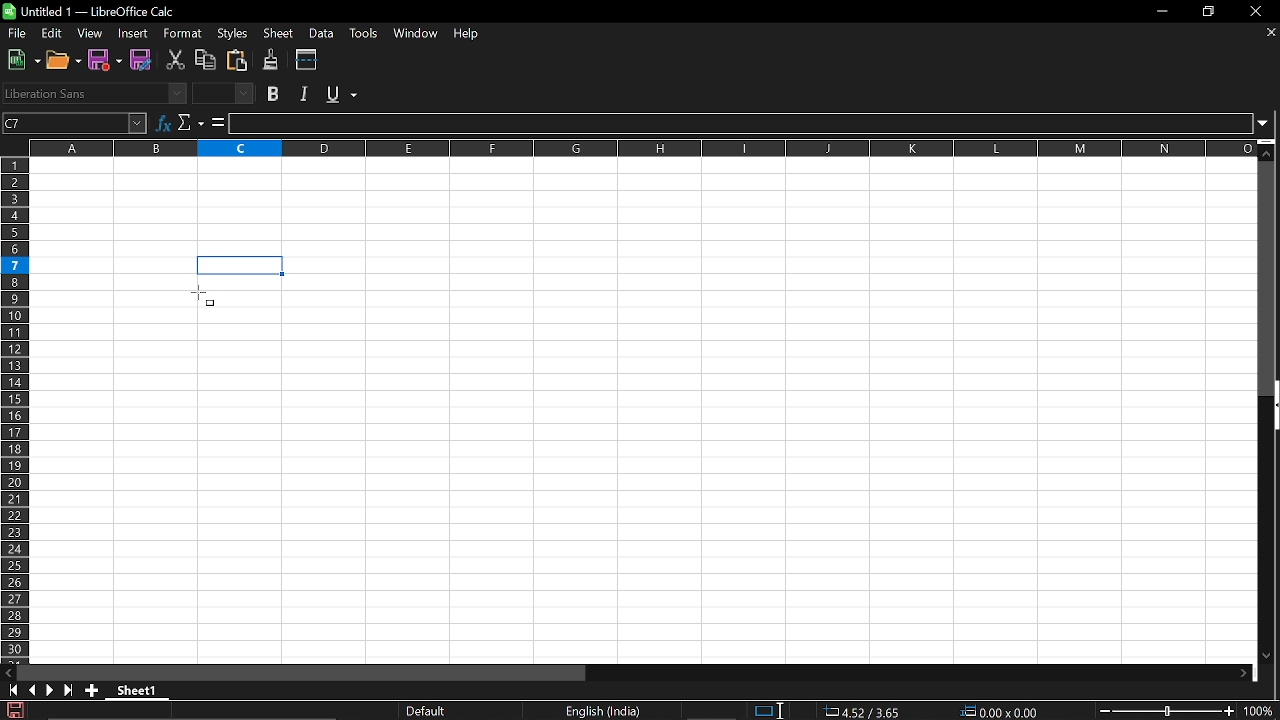 The image size is (1280, 720). Describe the element at coordinates (142, 692) in the screenshot. I see `Current sheet` at that location.